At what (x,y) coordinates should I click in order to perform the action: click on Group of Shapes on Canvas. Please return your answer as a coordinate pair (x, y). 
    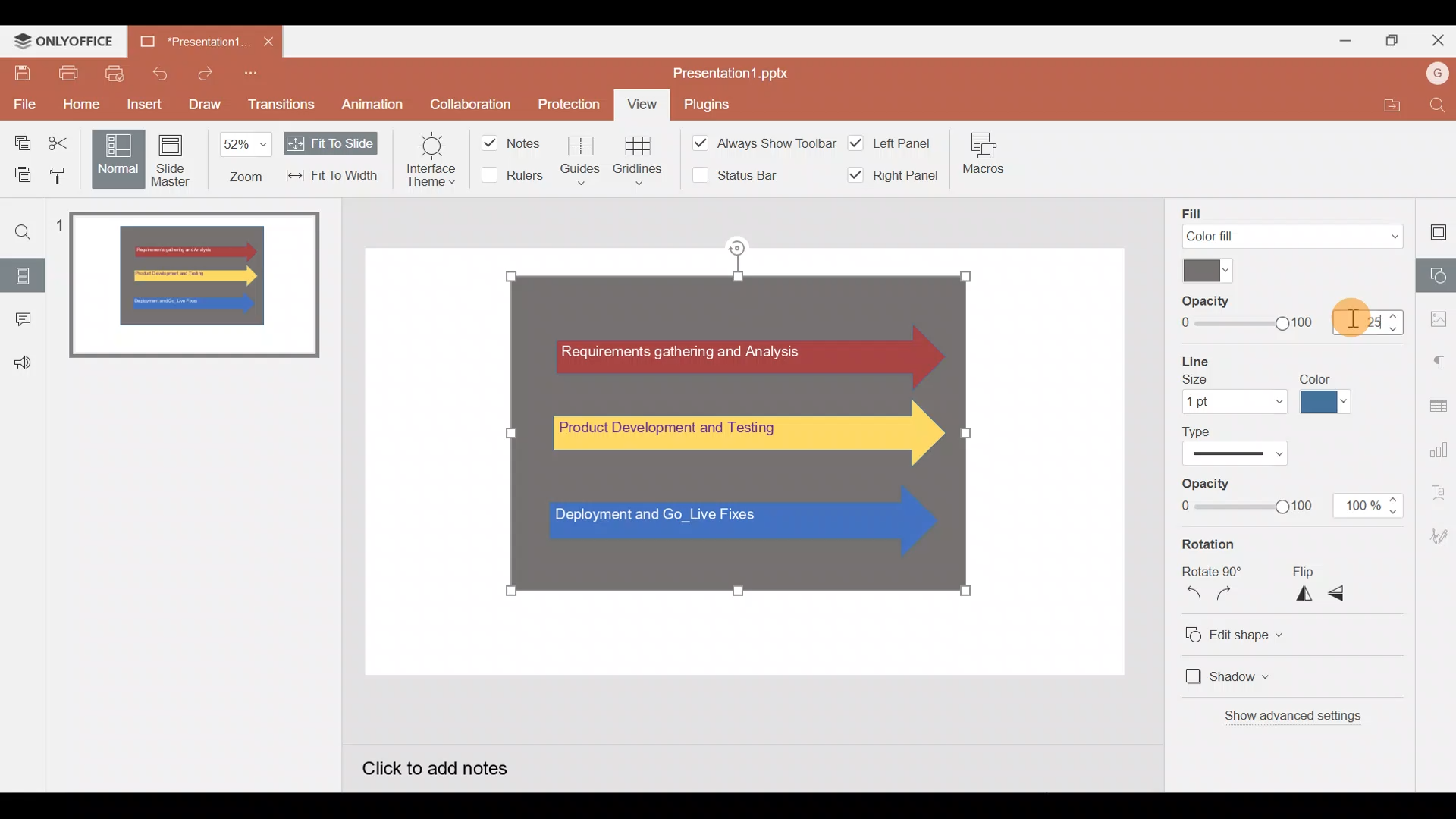
    Looking at the image, I should click on (738, 434).